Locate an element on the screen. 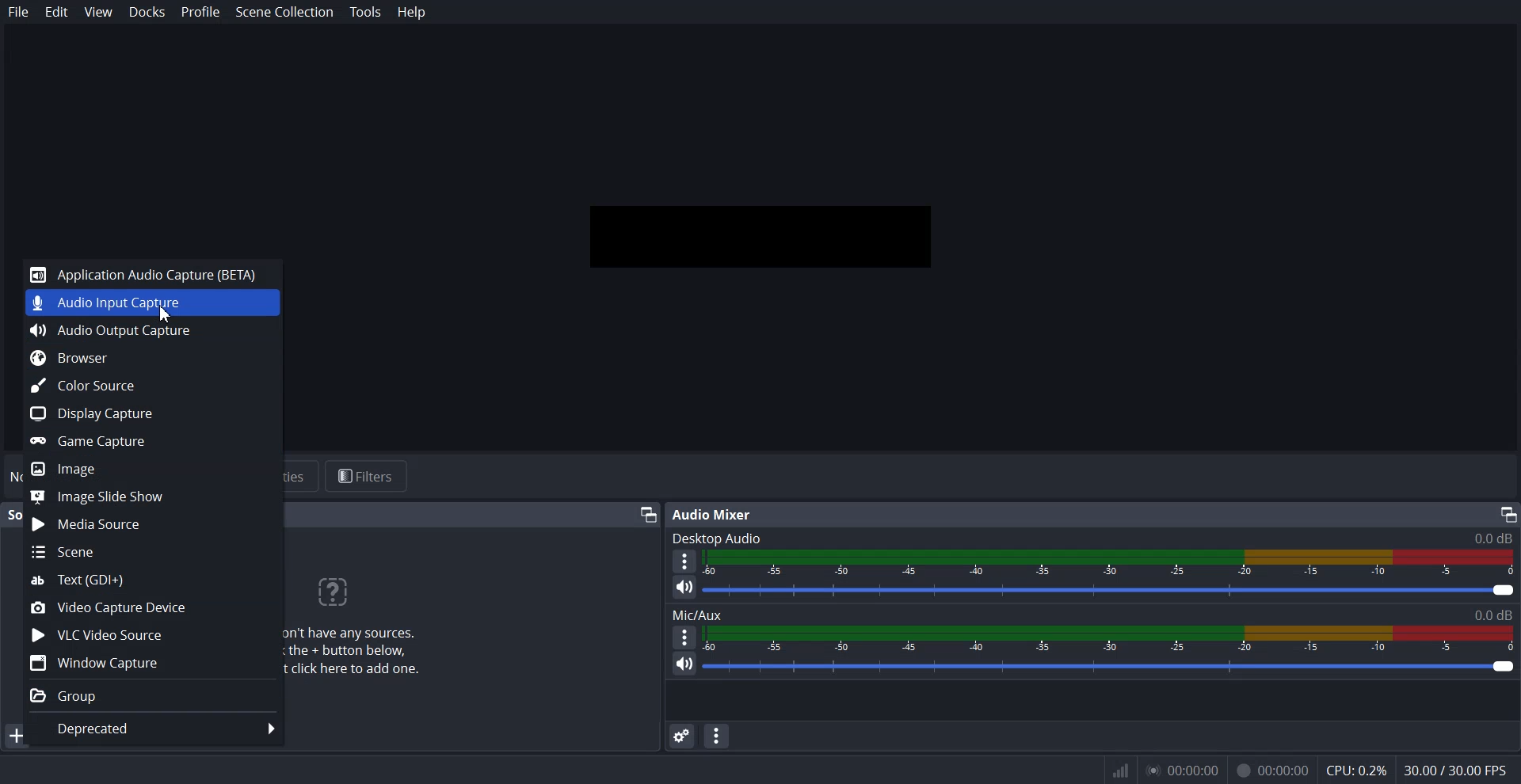 The image size is (1521, 784). Group is located at coordinates (153, 696).